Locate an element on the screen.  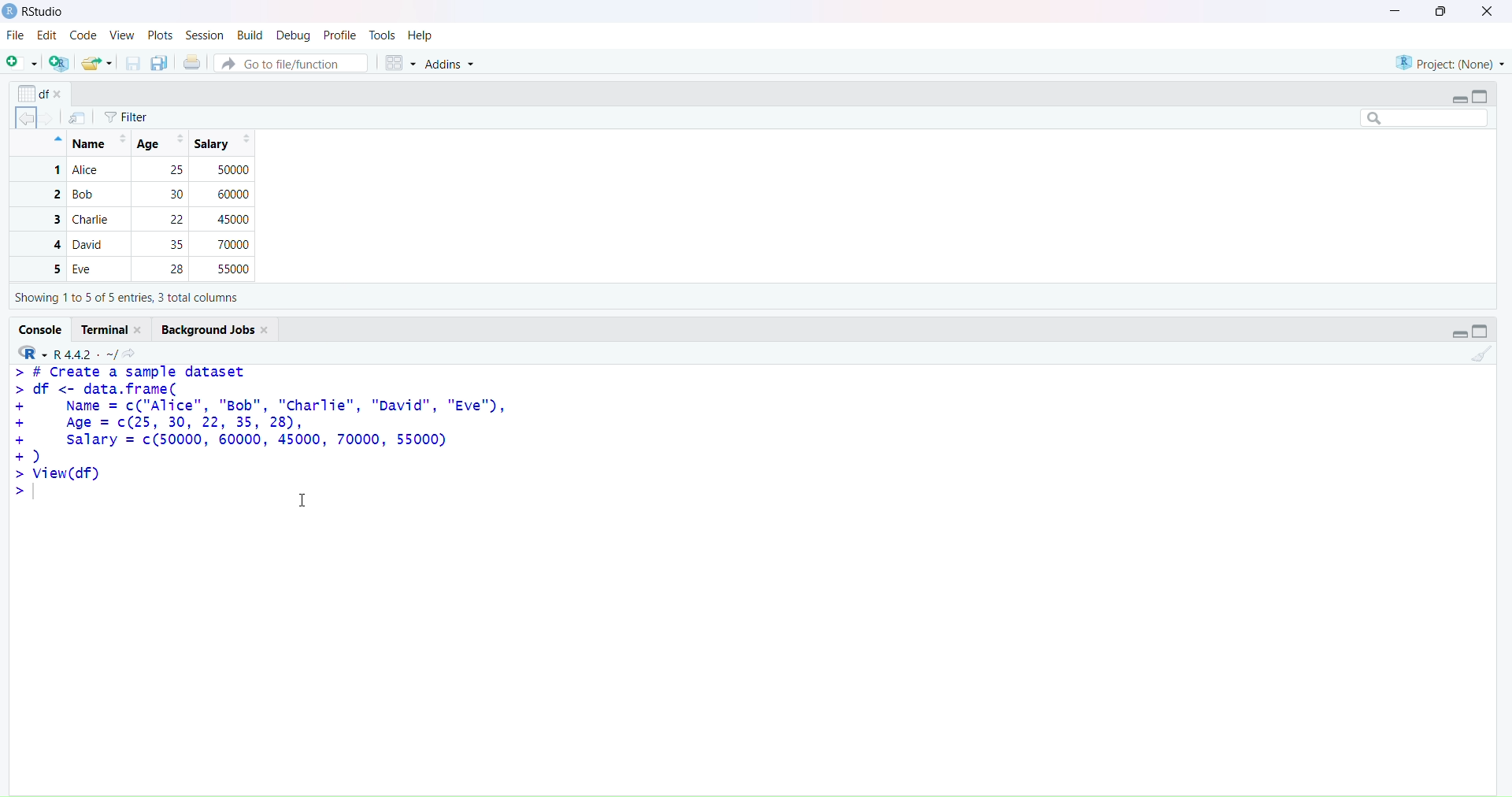
save all open documents is located at coordinates (160, 62).